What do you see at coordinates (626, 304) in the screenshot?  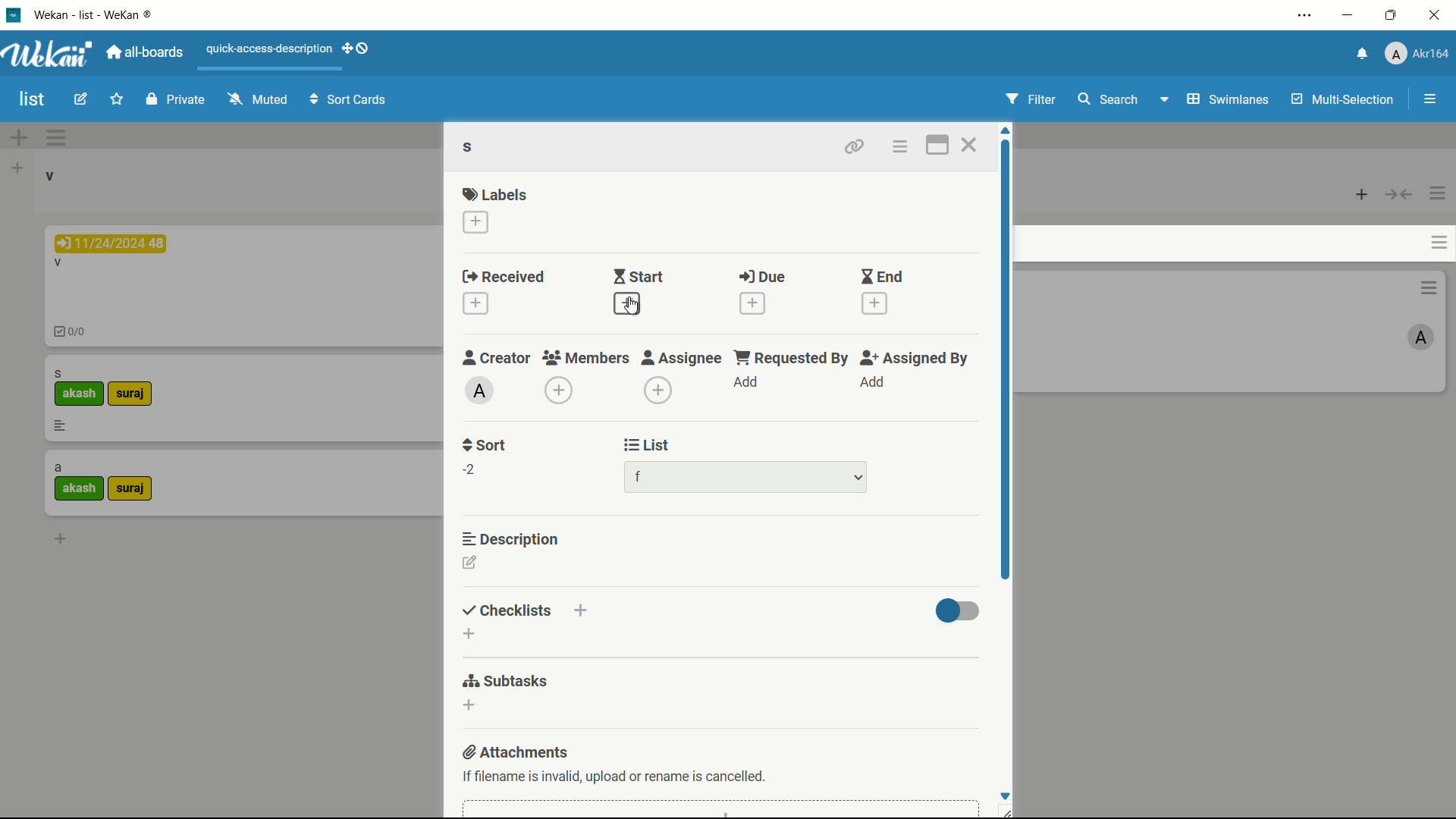 I see `add start date` at bounding box center [626, 304].